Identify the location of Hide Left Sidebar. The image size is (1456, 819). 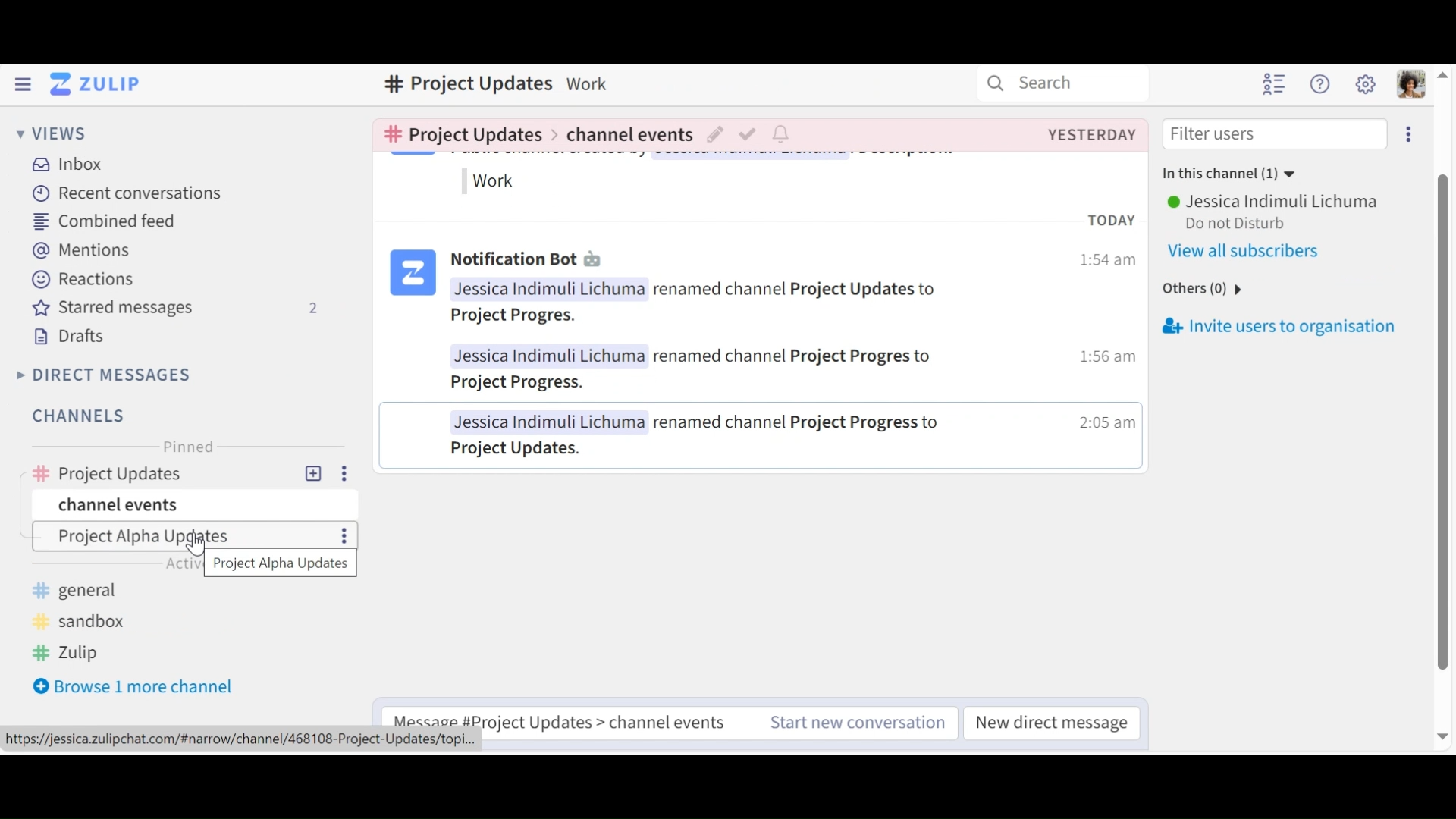
(24, 83).